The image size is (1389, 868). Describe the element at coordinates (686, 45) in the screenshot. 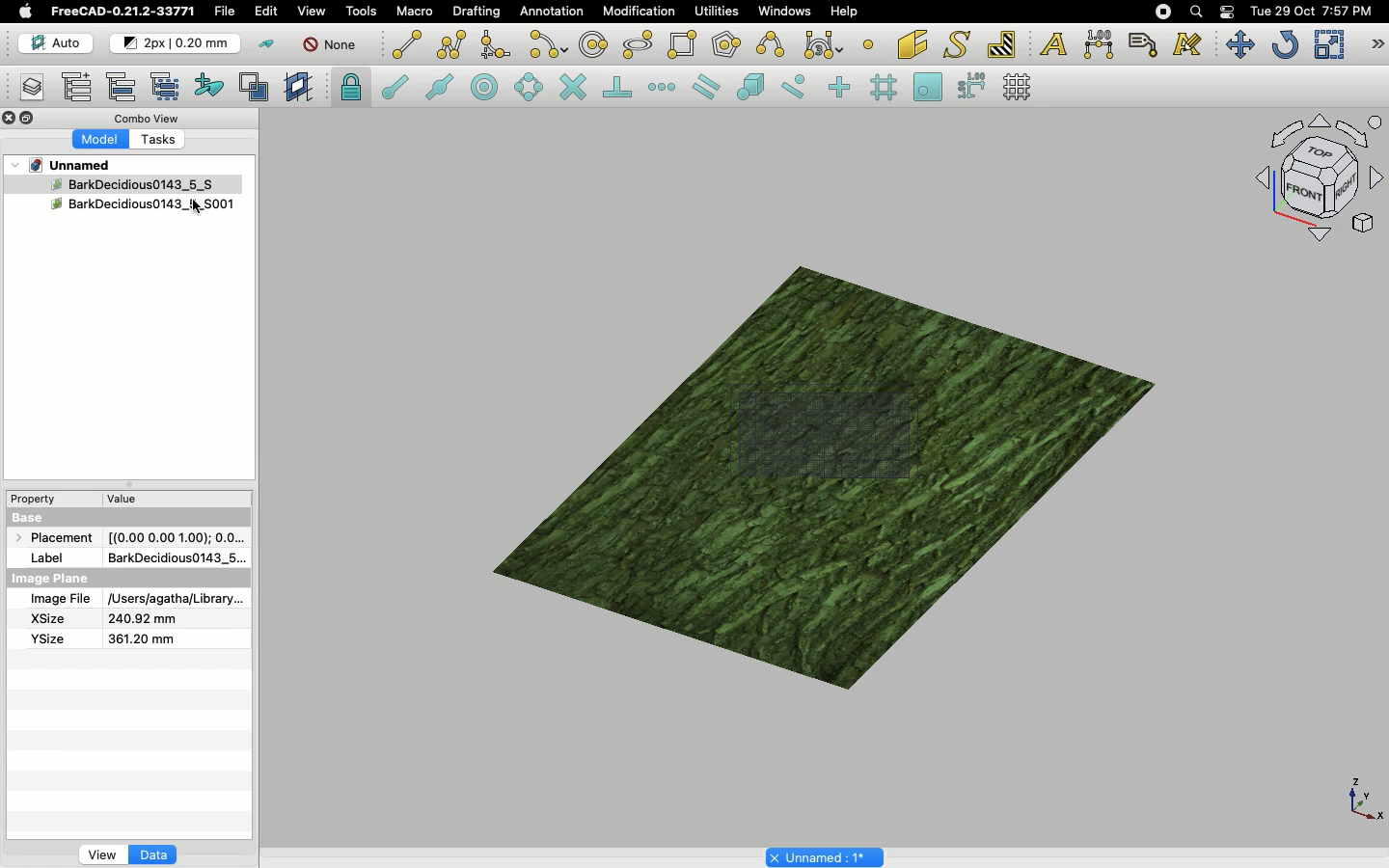

I see `Rectangle` at that location.